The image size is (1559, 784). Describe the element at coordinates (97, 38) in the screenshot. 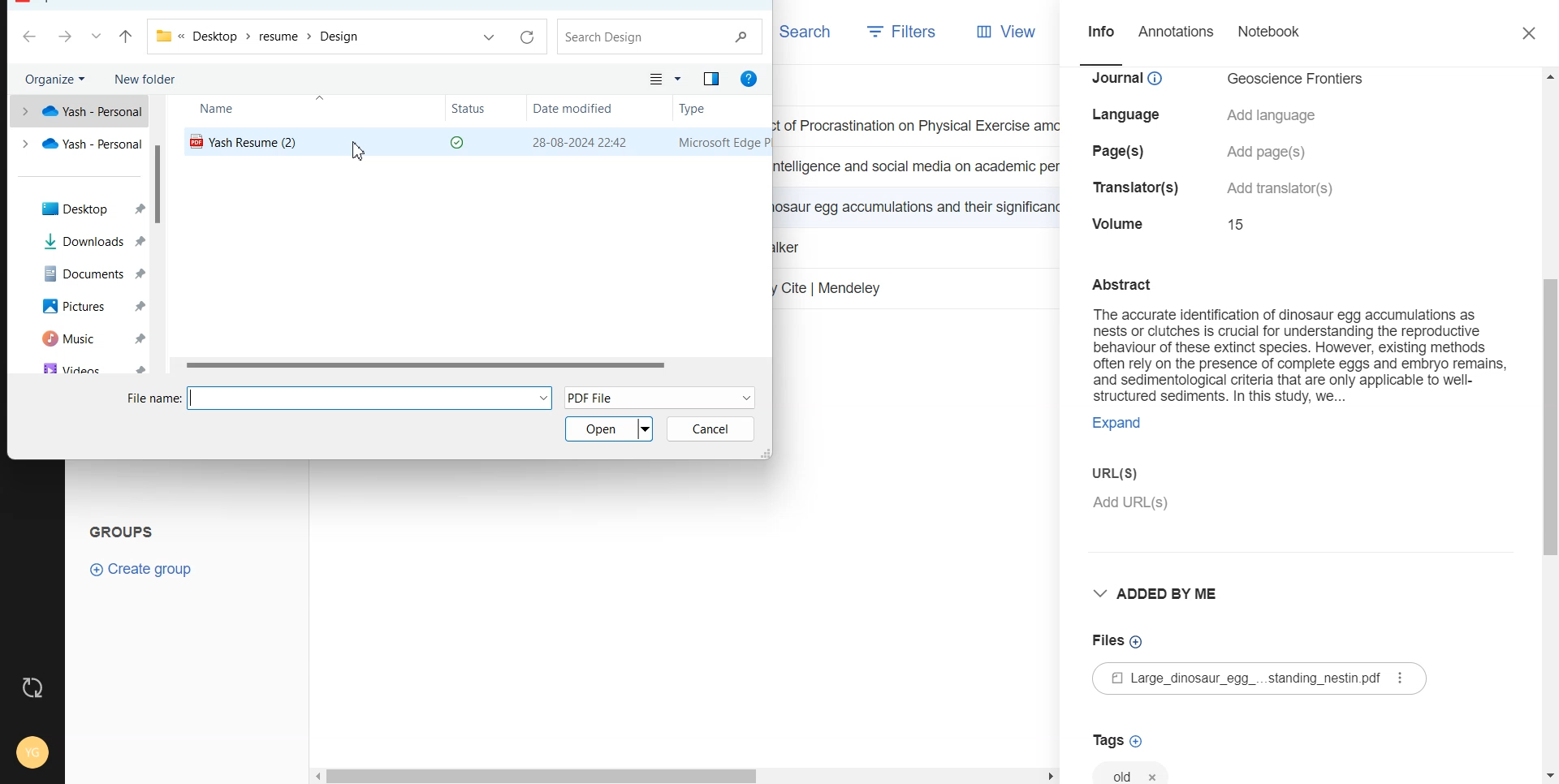

I see `Recent file` at that location.